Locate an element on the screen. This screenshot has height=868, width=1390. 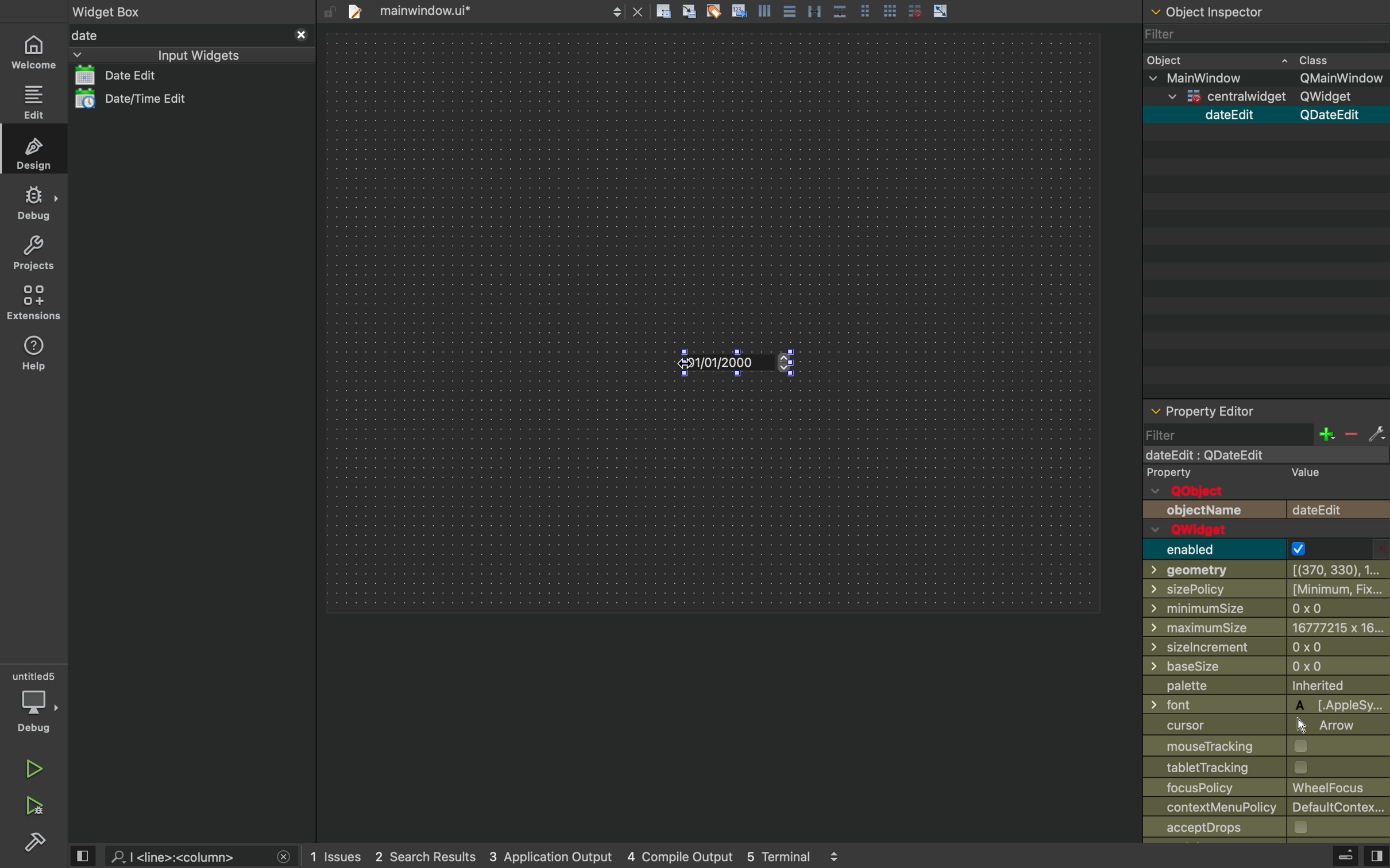
date/time edit is located at coordinates (155, 99).